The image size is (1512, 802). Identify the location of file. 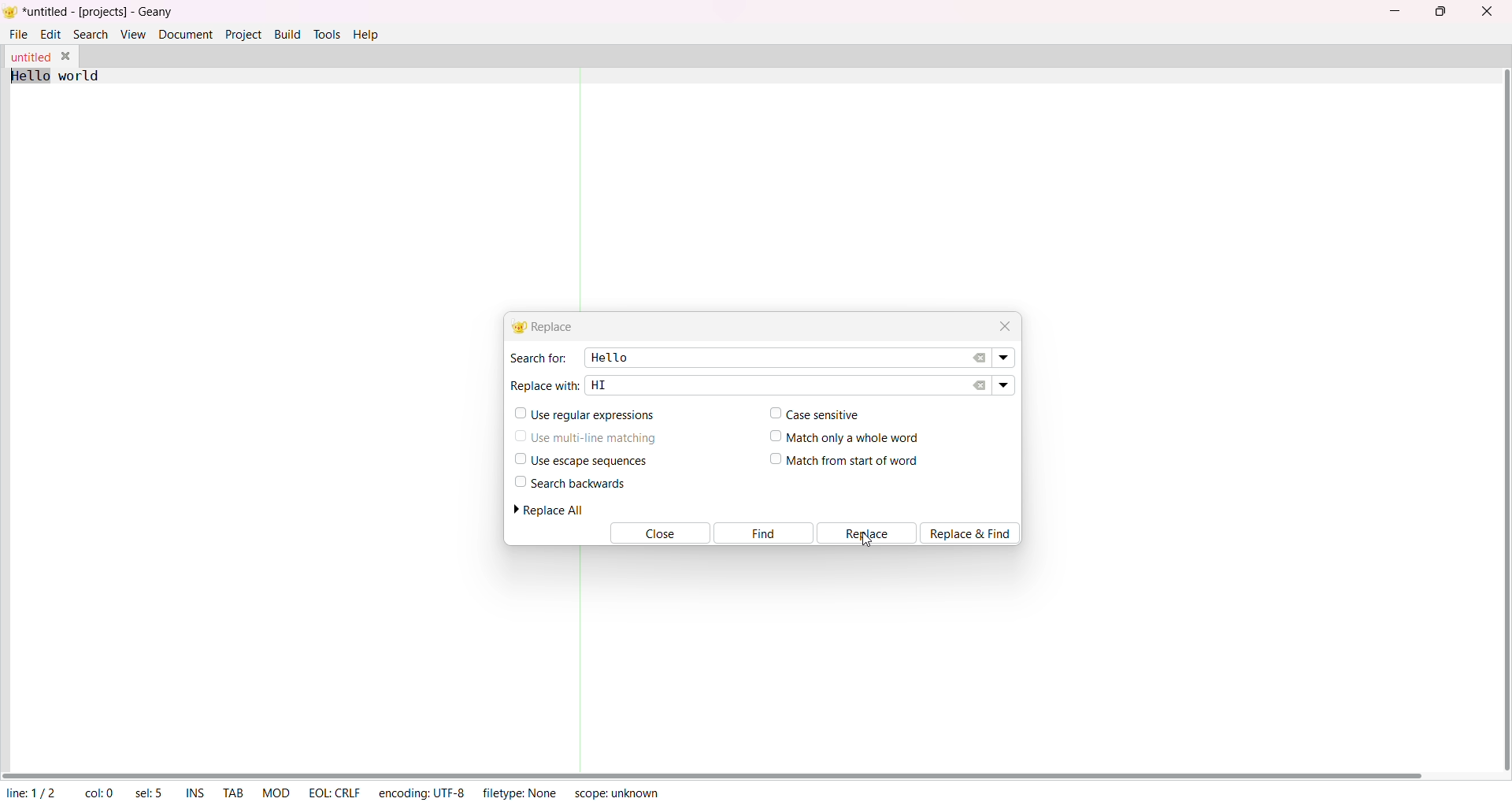
(20, 32).